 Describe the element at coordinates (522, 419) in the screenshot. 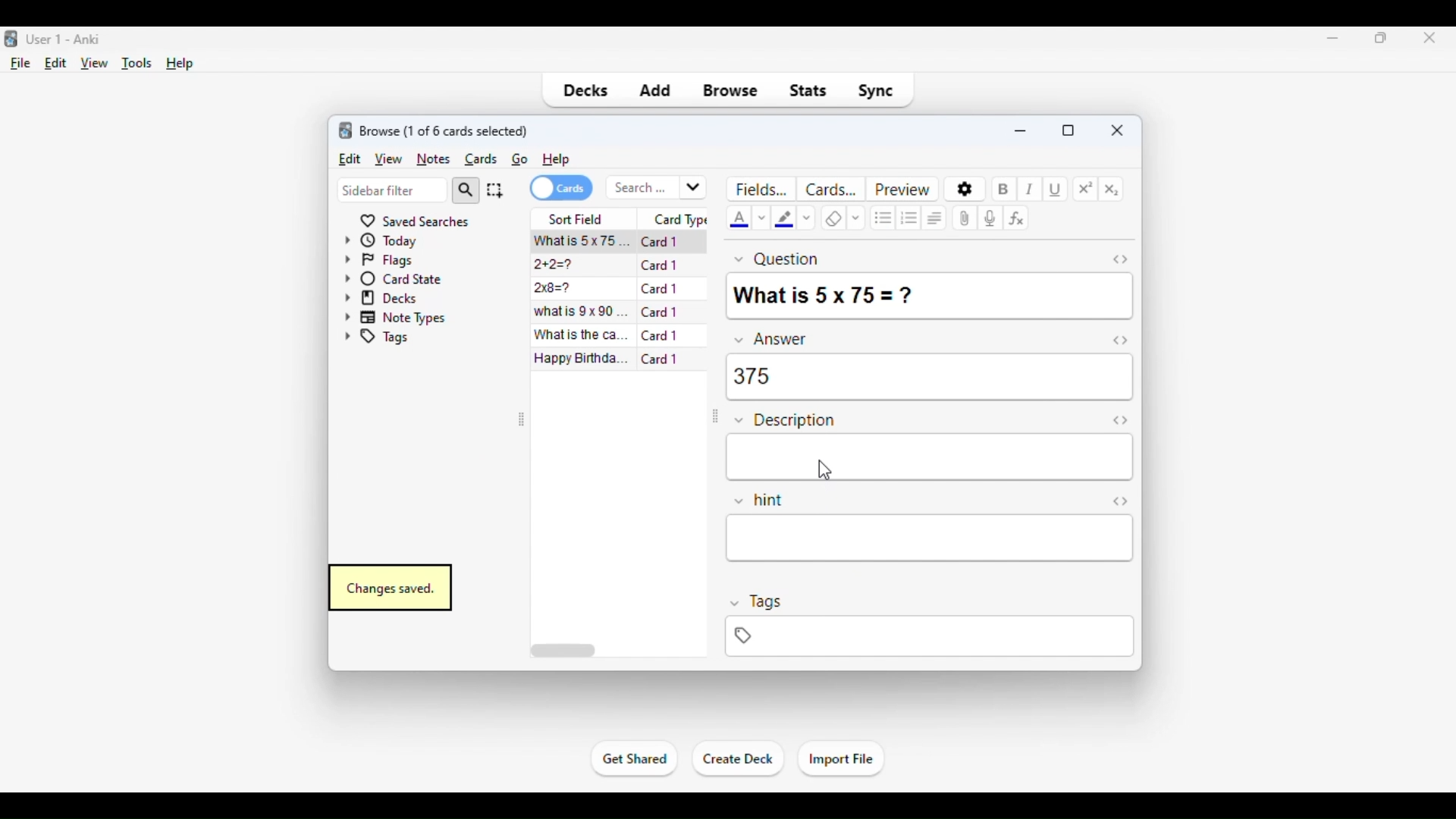

I see `toggle sidebar` at that location.